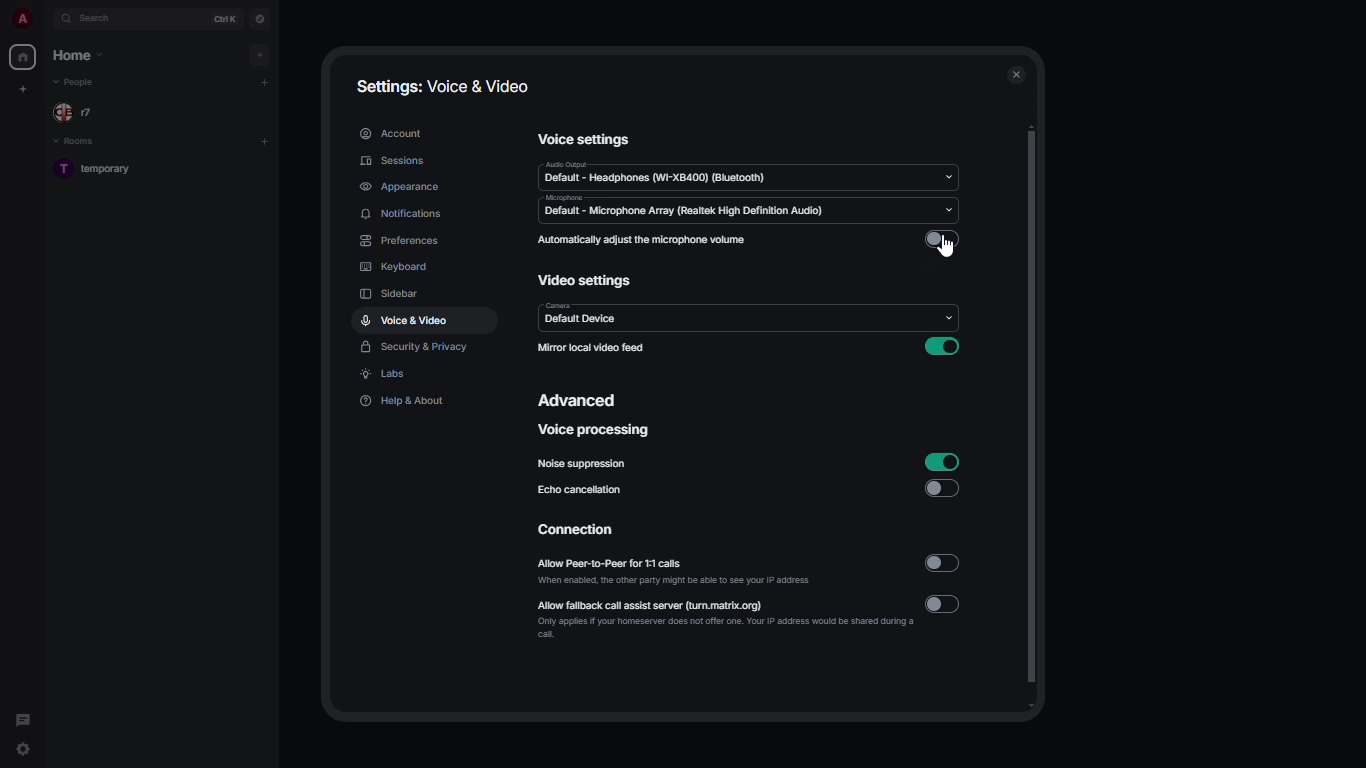 This screenshot has width=1366, height=768. What do you see at coordinates (22, 744) in the screenshot?
I see `quick settings` at bounding box center [22, 744].